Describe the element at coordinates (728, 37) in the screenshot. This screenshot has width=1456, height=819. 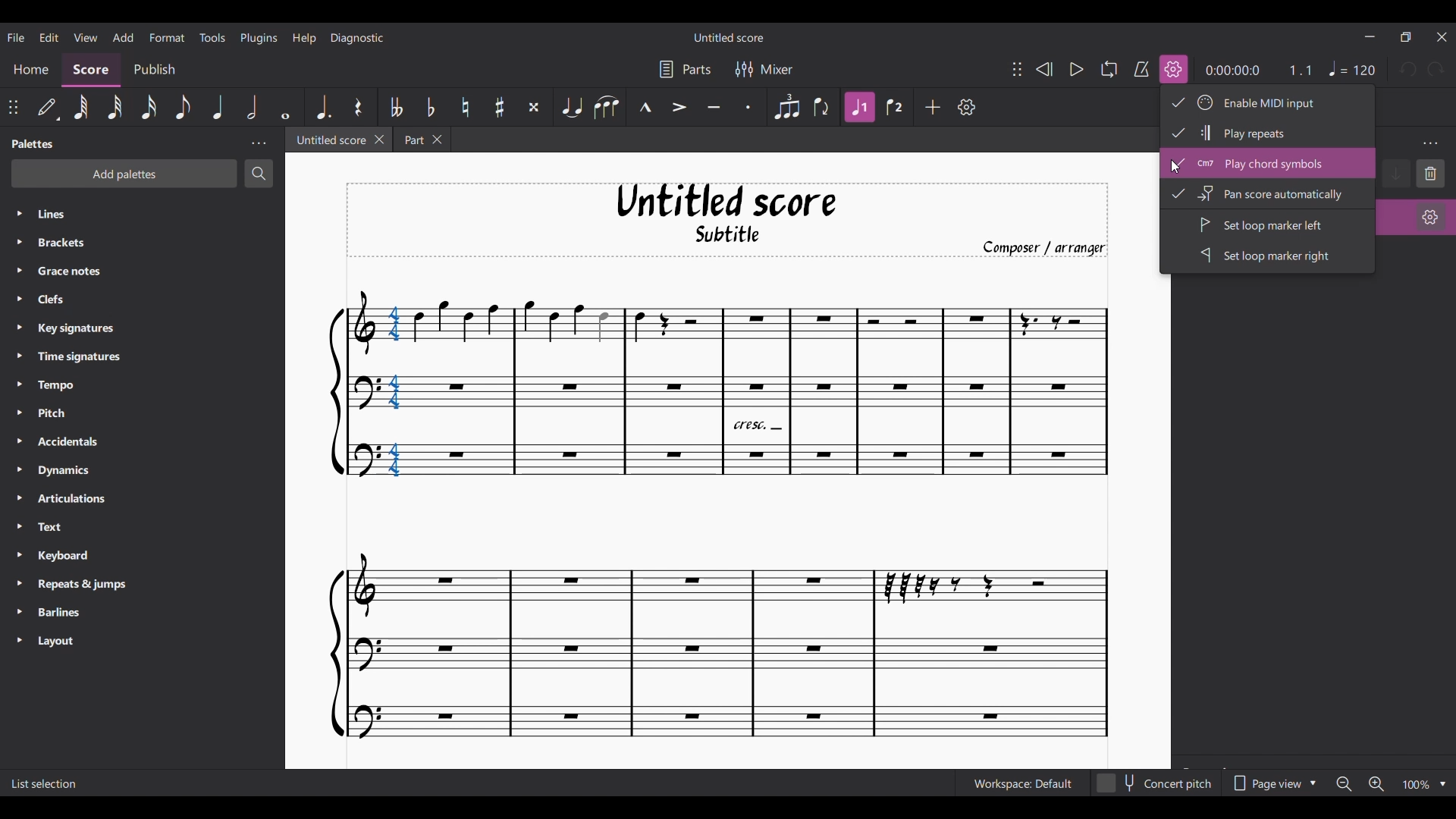
I see `Score title` at that location.